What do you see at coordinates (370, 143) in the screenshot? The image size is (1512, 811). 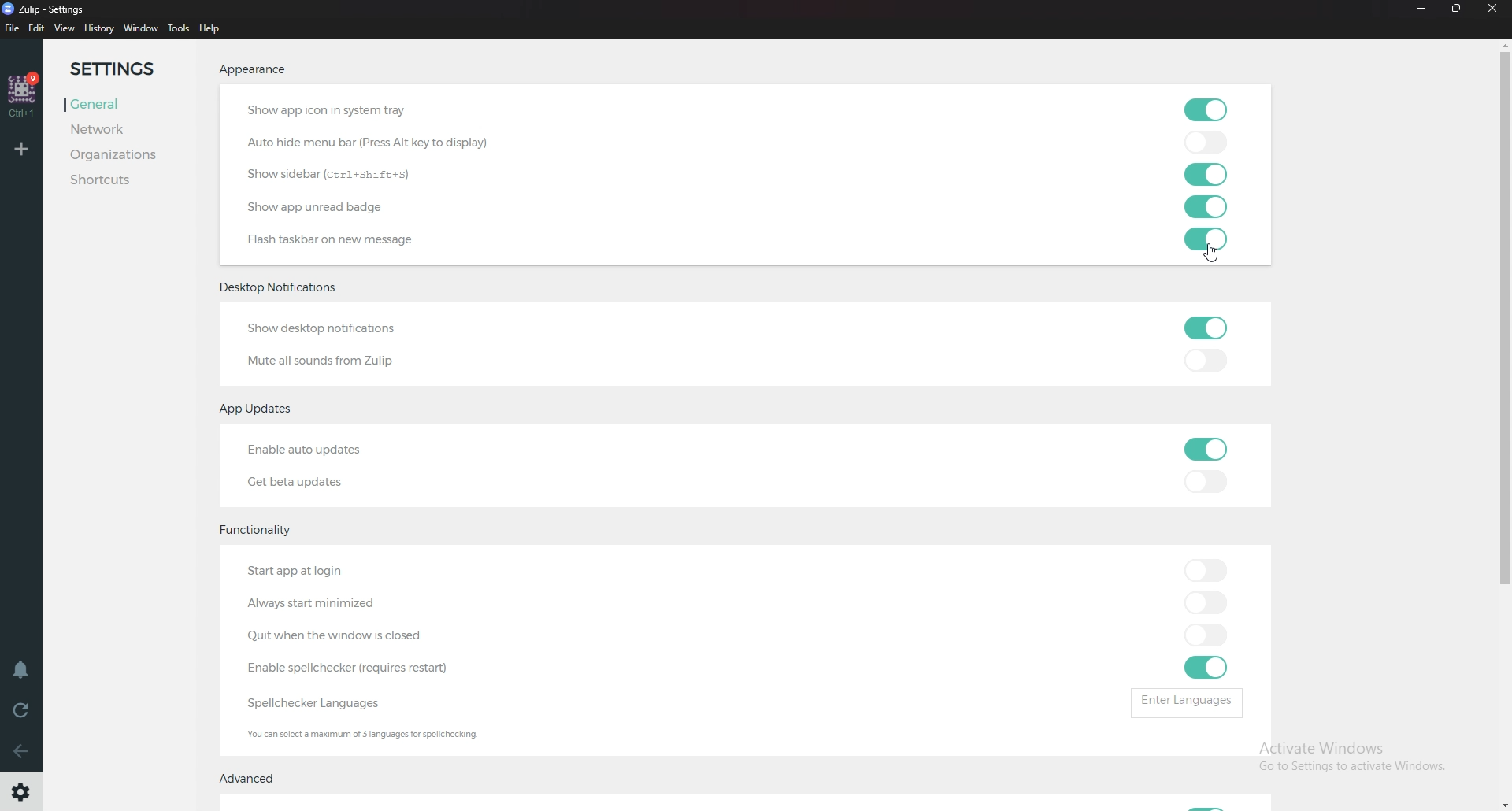 I see `auto hide menu bar` at bounding box center [370, 143].